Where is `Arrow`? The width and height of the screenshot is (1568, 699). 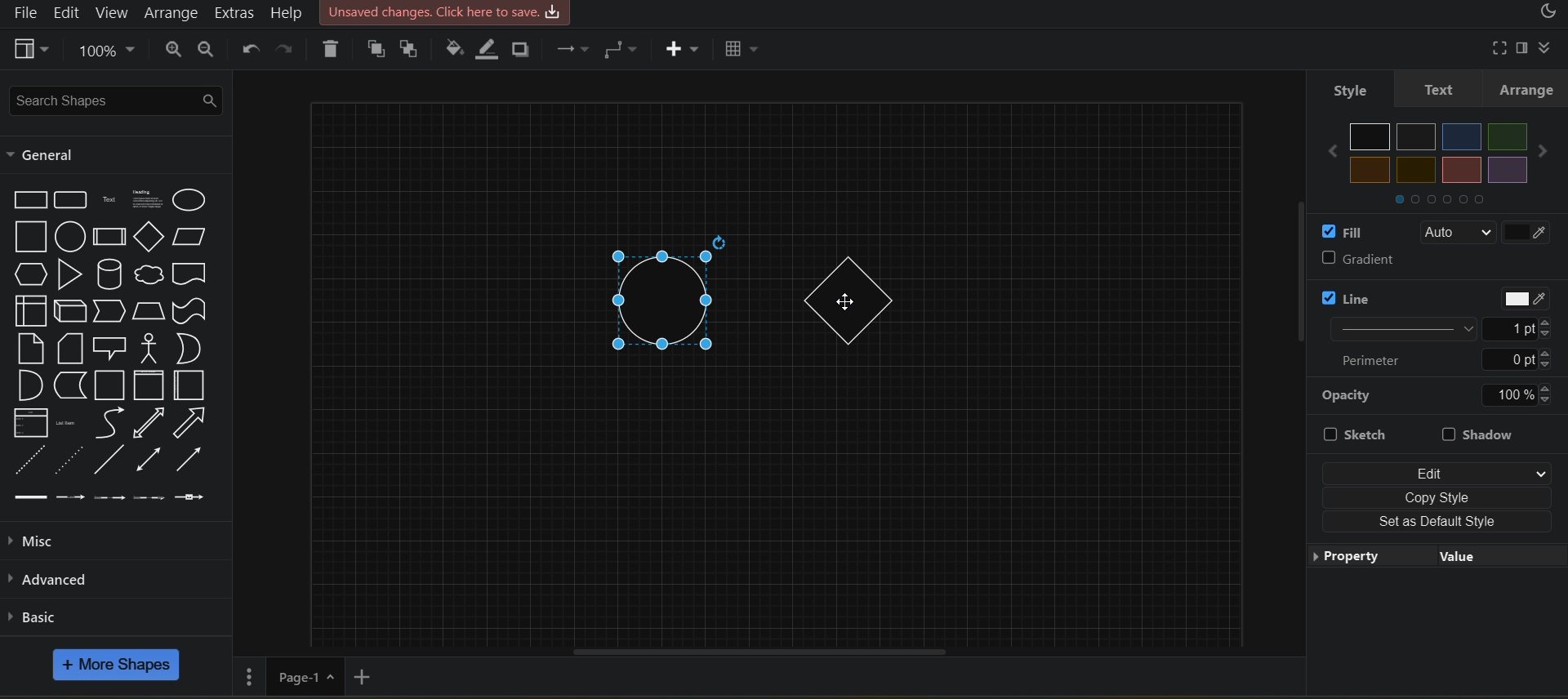 Arrow is located at coordinates (192, 423).